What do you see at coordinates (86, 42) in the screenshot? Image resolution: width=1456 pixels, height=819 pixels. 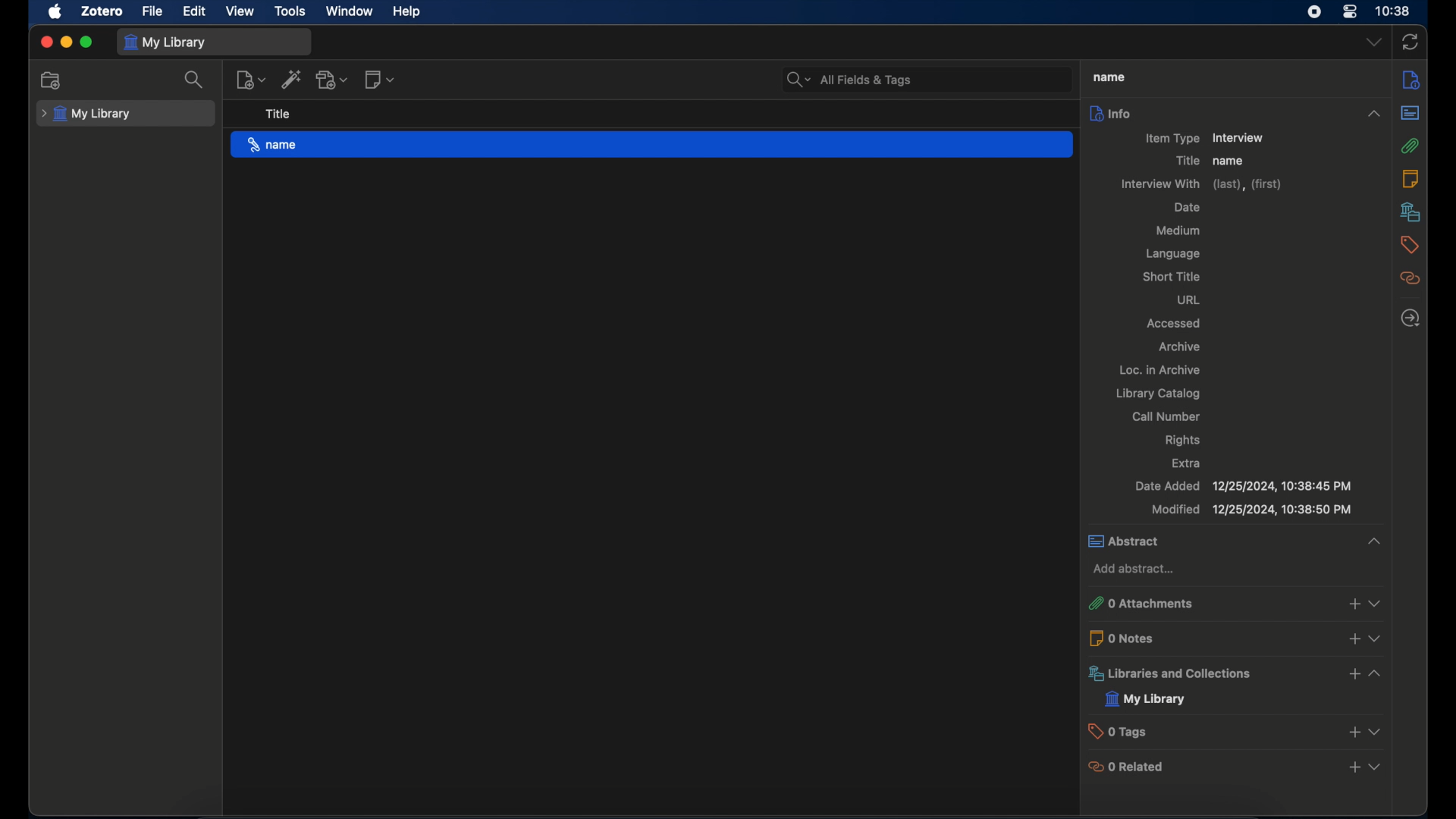 I see `maximize` at bounding box center [86, 42].